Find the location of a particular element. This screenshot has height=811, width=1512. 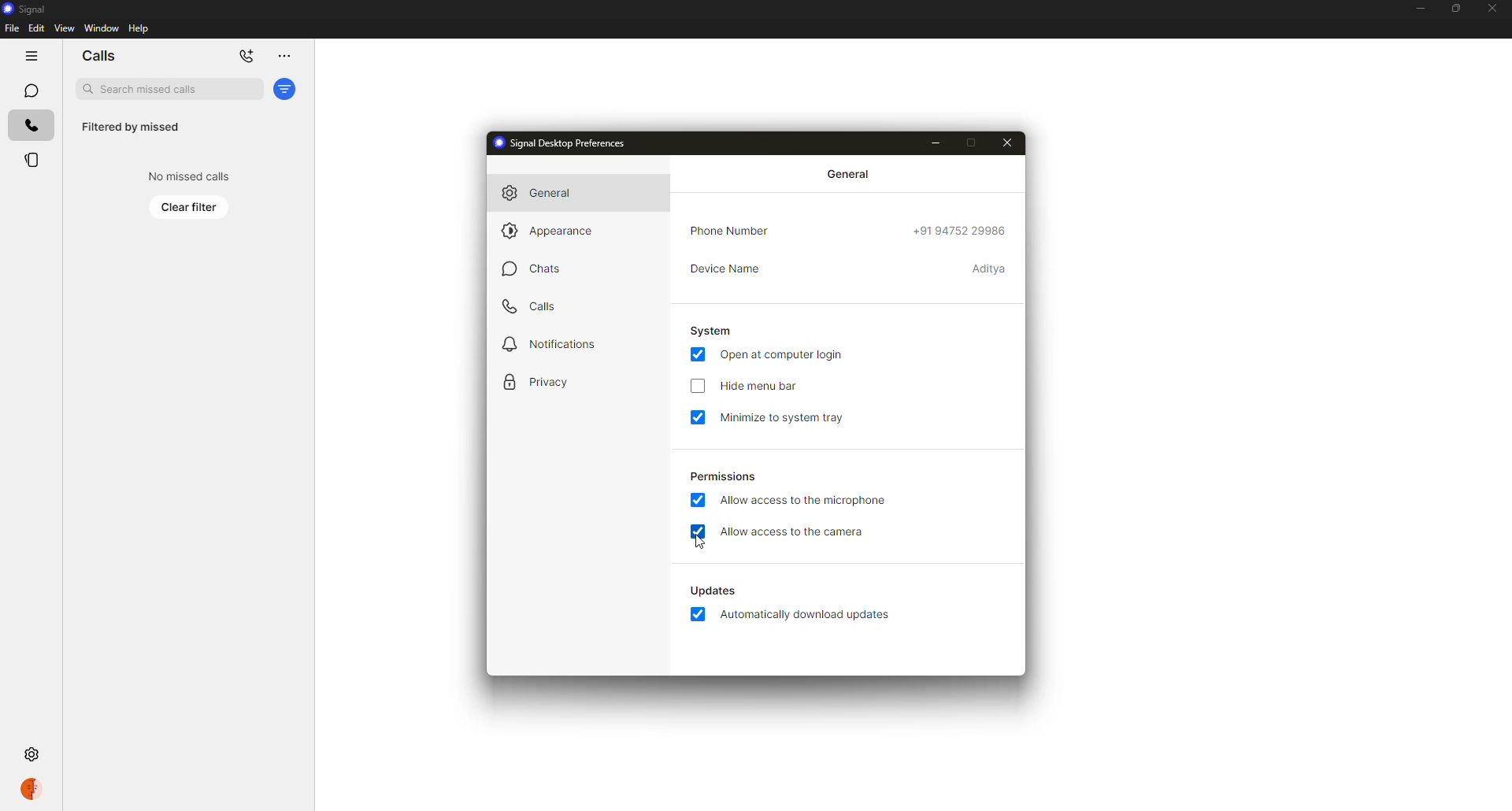

enabled is located at coordinates (697, 613).